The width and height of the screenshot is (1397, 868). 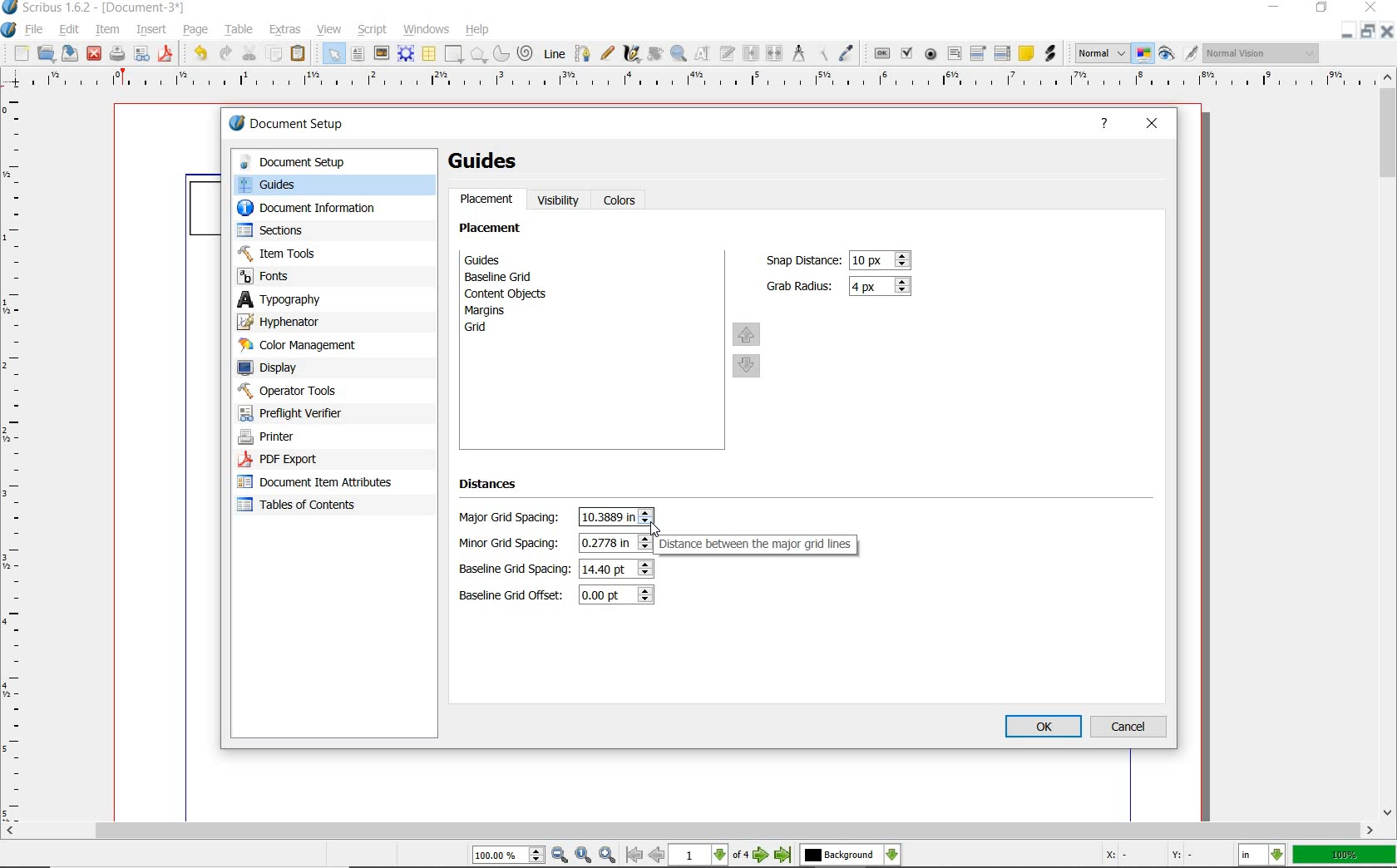 I want to click on help, so click(x=1105, y=126).